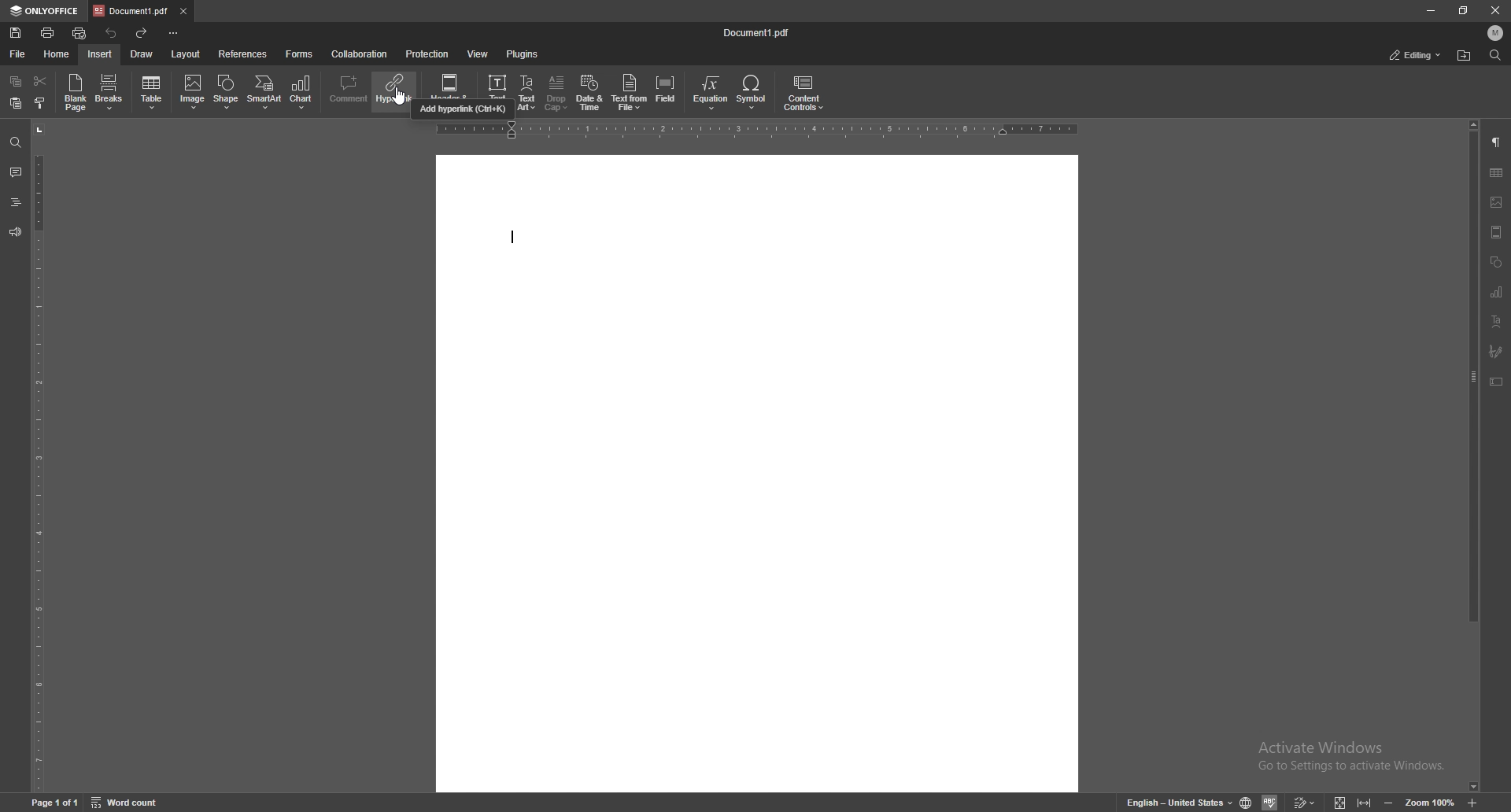  Describe the element at coordinates (499, 86) in the screenshot. I see `text box` at that location.